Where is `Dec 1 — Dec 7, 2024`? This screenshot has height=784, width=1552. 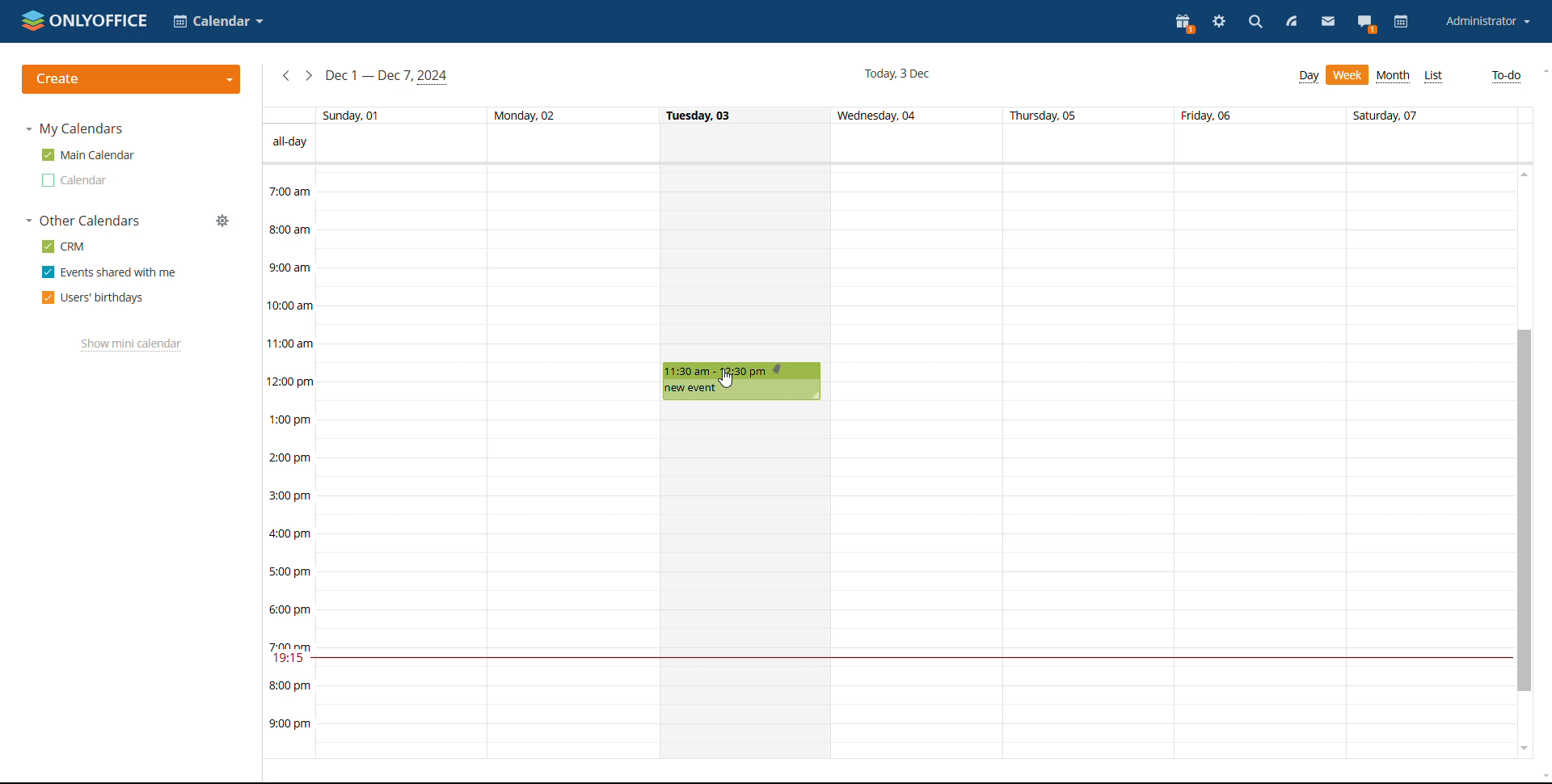
Dec 1 — Dec 7, 2024 is located at coordinates (390, 76).